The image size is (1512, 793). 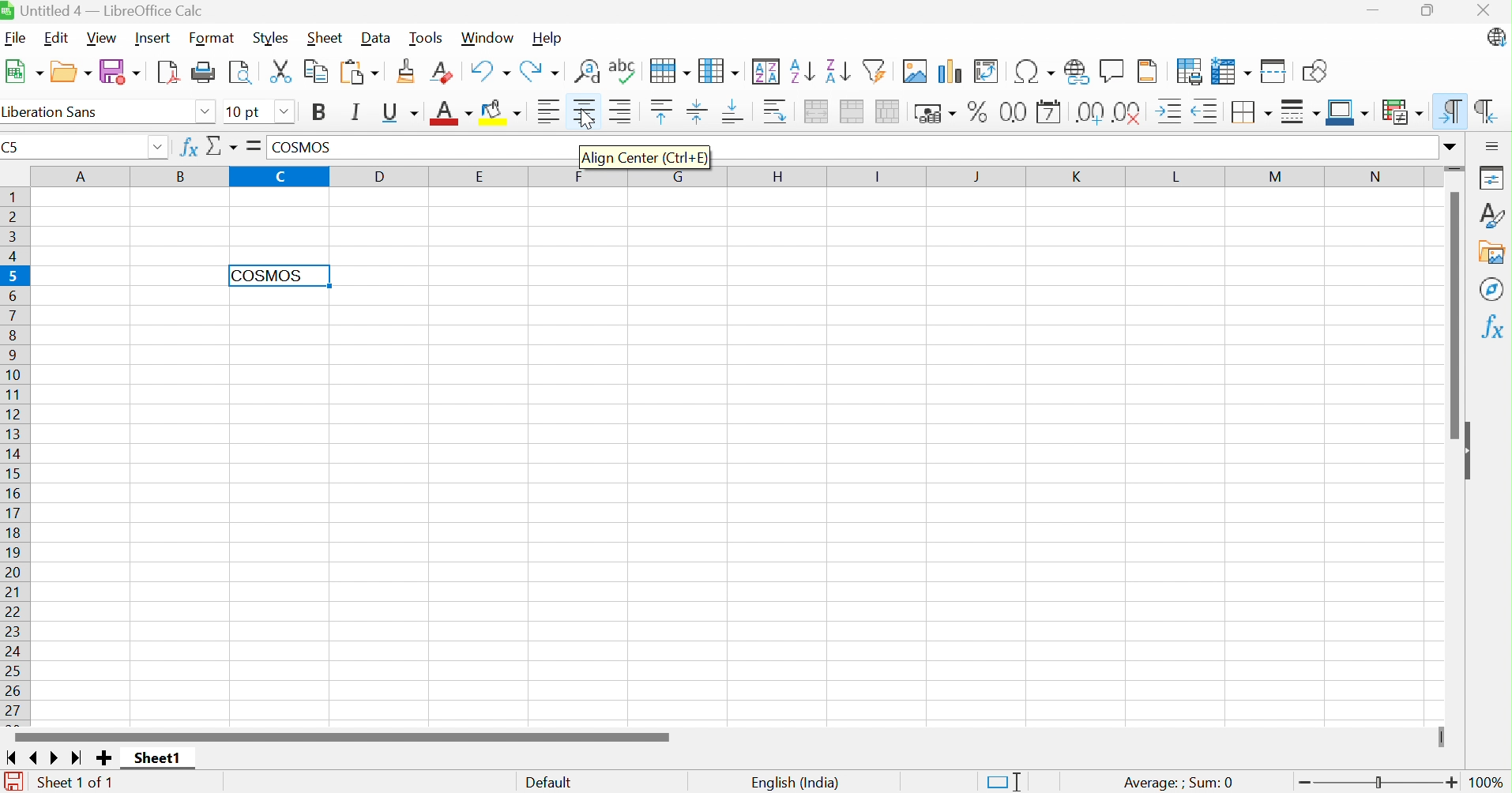 What do you see at coordinates (359, 112) in the screenshot?
I see `Italic` at bounding box center [359, 112].